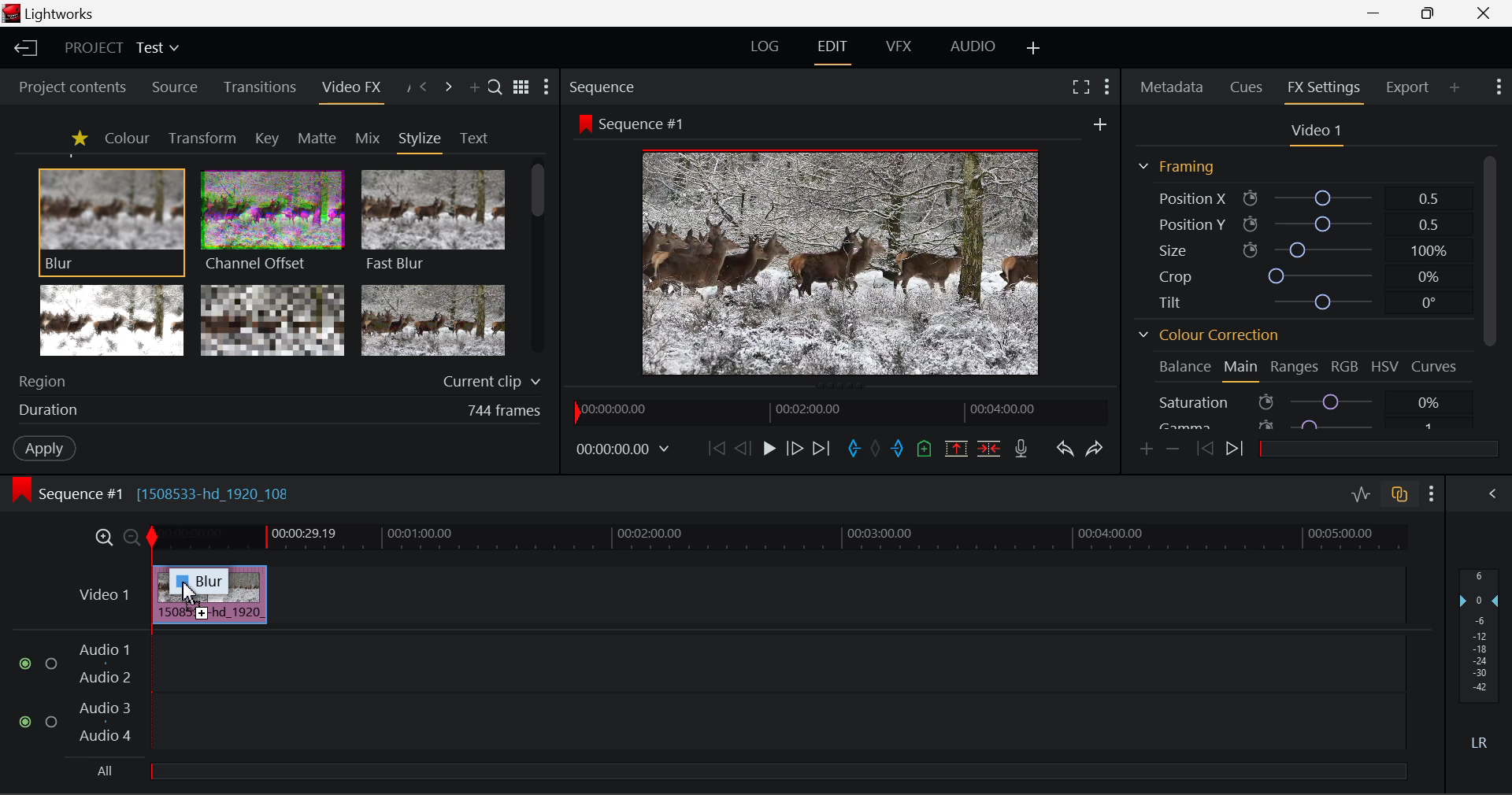 The width and height of the screenshot is (1512, 795). What do you see at coordinates (1206, 451) in the screenshot?
I see `Last keyframe` at bounding box center [1206, 451].